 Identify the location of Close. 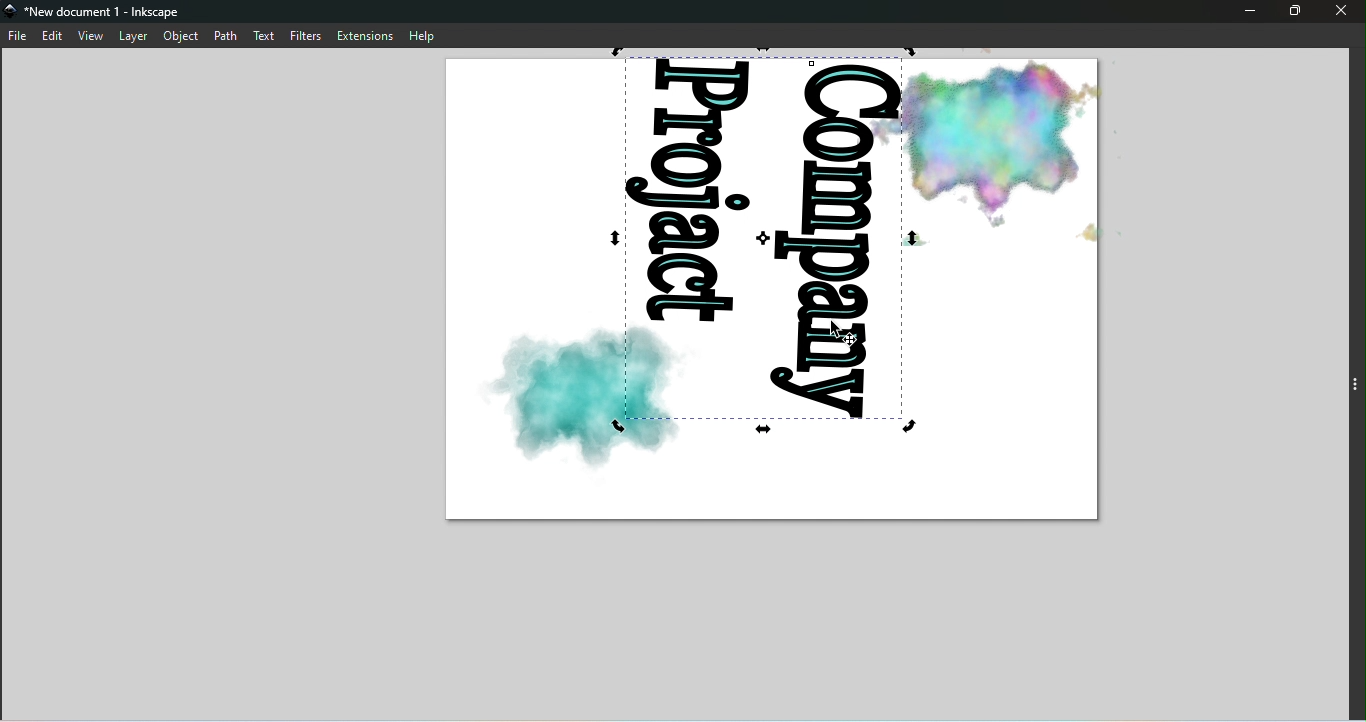
(1345, 13).